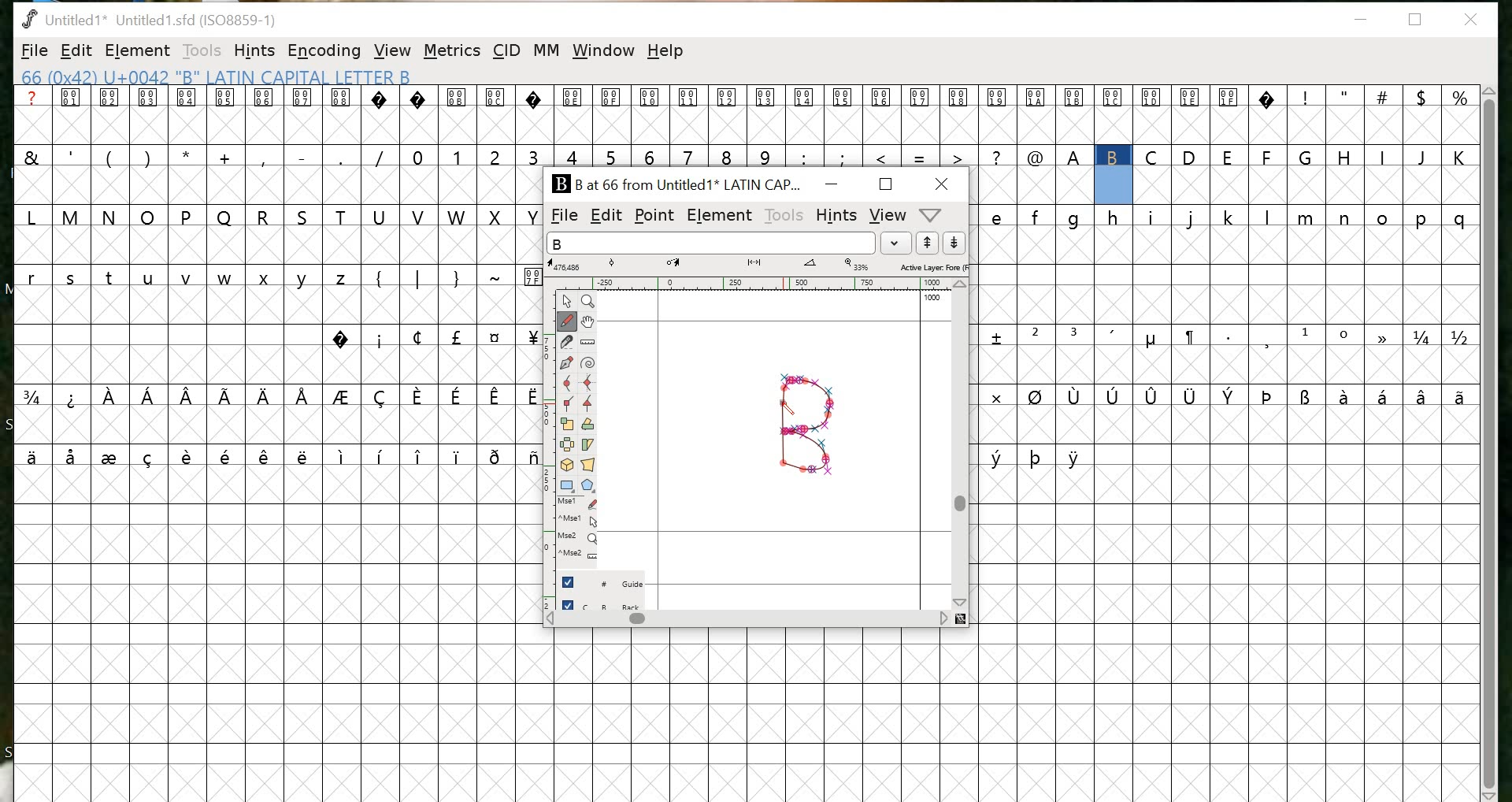  Describe the element at coordinates (137, 51) in the screenshot. I see `ELEMENT` at that location.